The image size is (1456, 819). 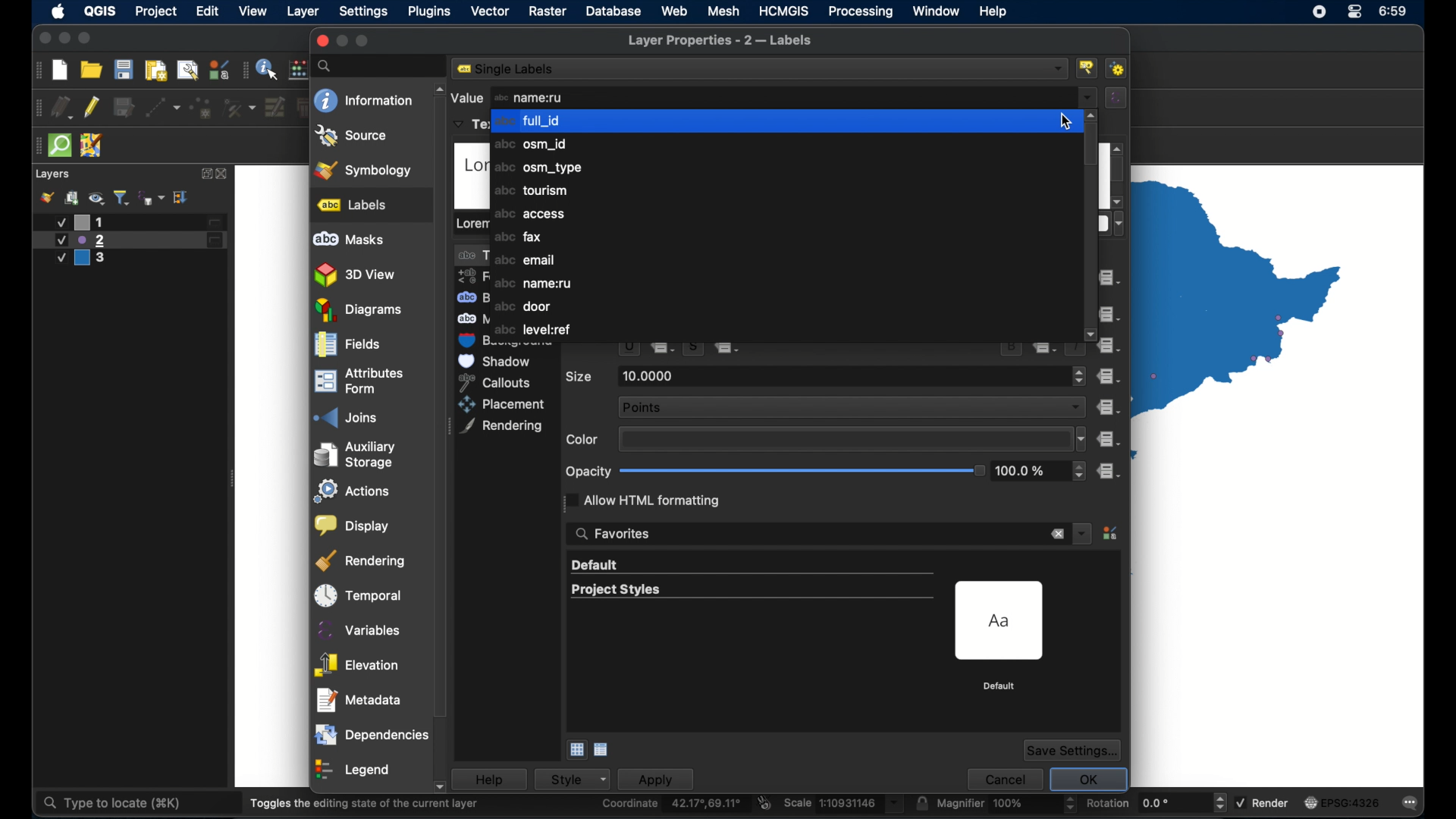 What do you see at coordinates (363, 100) in the screenshot?
I see `information` at bounding box center [363, 100].